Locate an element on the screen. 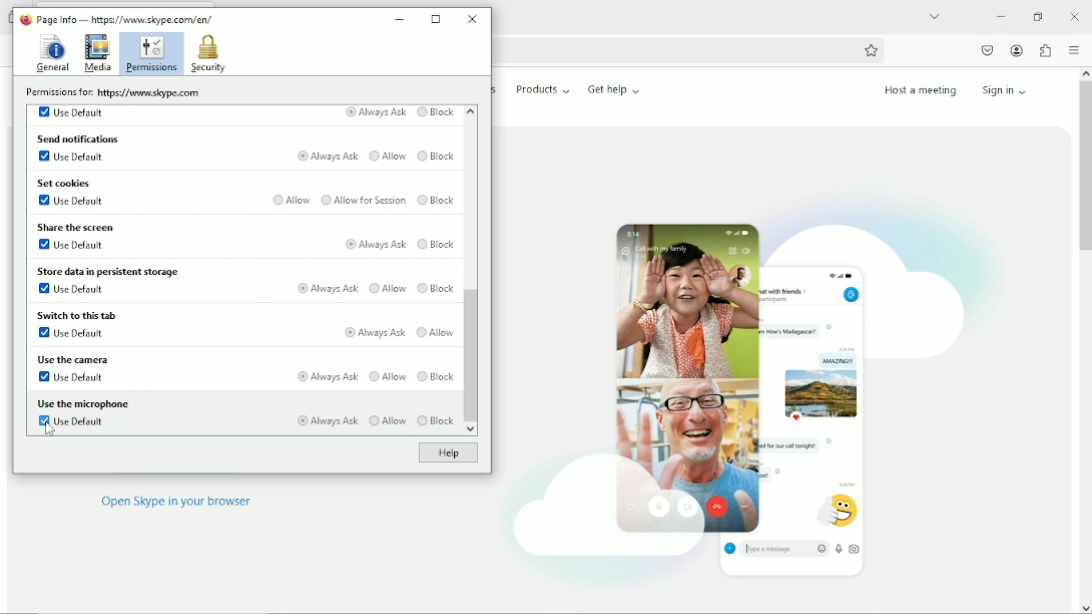 The height and width of the screenshot is (614, 1092). Use default is located at coordinates (73, 201).